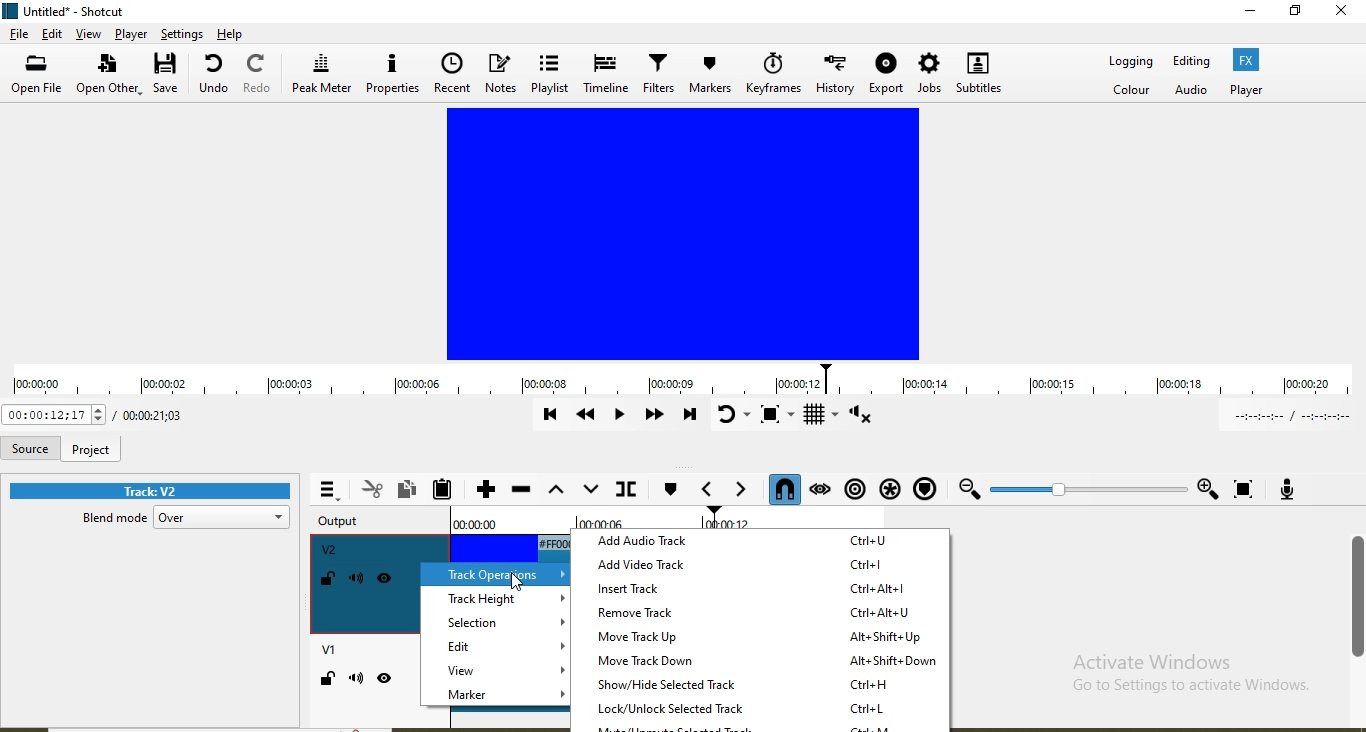 Image resolution: width=1366 pixels, height=732 pixels. Describe the element at coordinates (486, 489) in the screenshot. I see `Append` at that location.